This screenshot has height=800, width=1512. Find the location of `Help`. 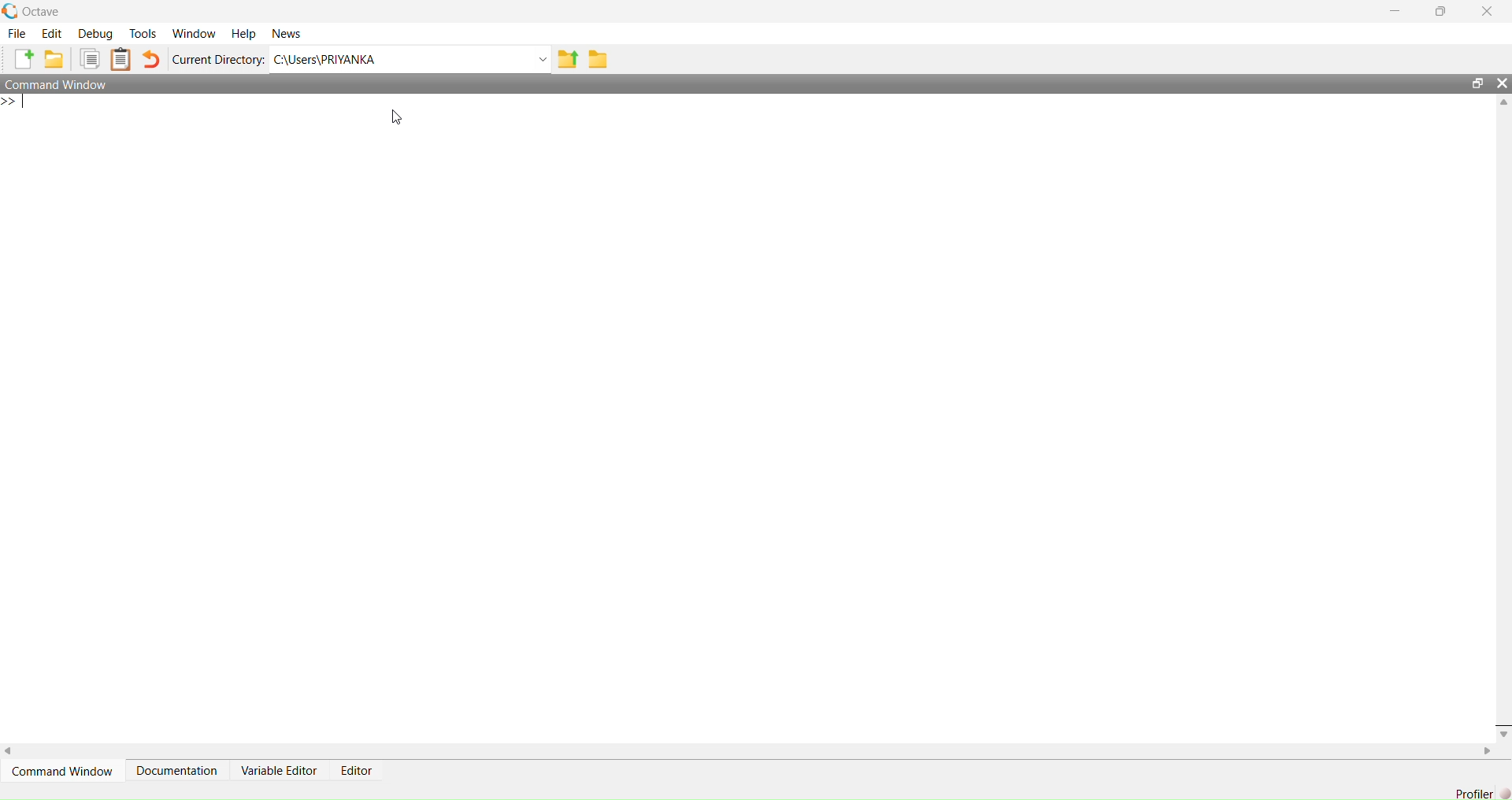

Help is located at coordinates (244, 35).